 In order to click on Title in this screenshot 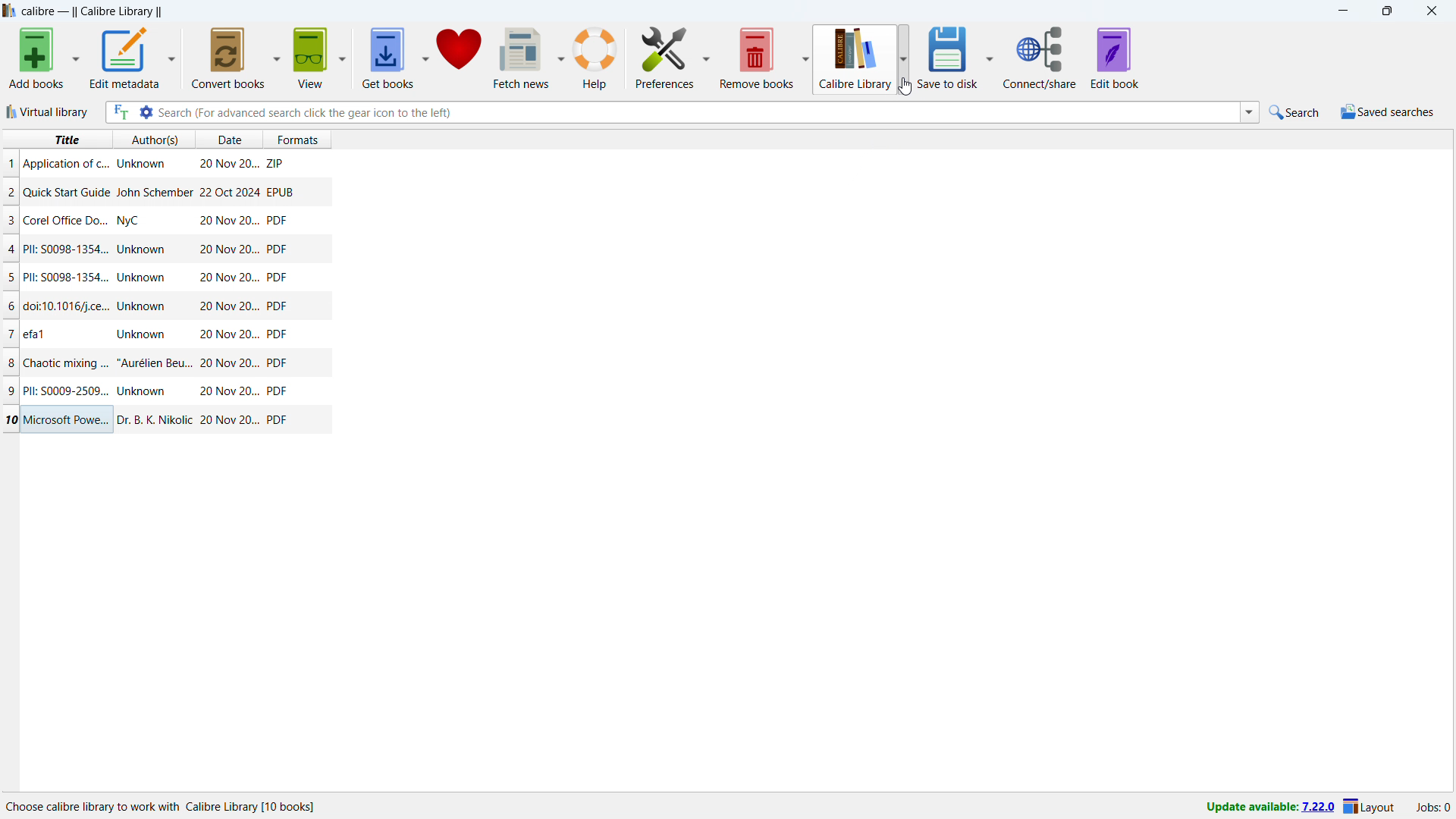, I will do `click(67, 277)`.